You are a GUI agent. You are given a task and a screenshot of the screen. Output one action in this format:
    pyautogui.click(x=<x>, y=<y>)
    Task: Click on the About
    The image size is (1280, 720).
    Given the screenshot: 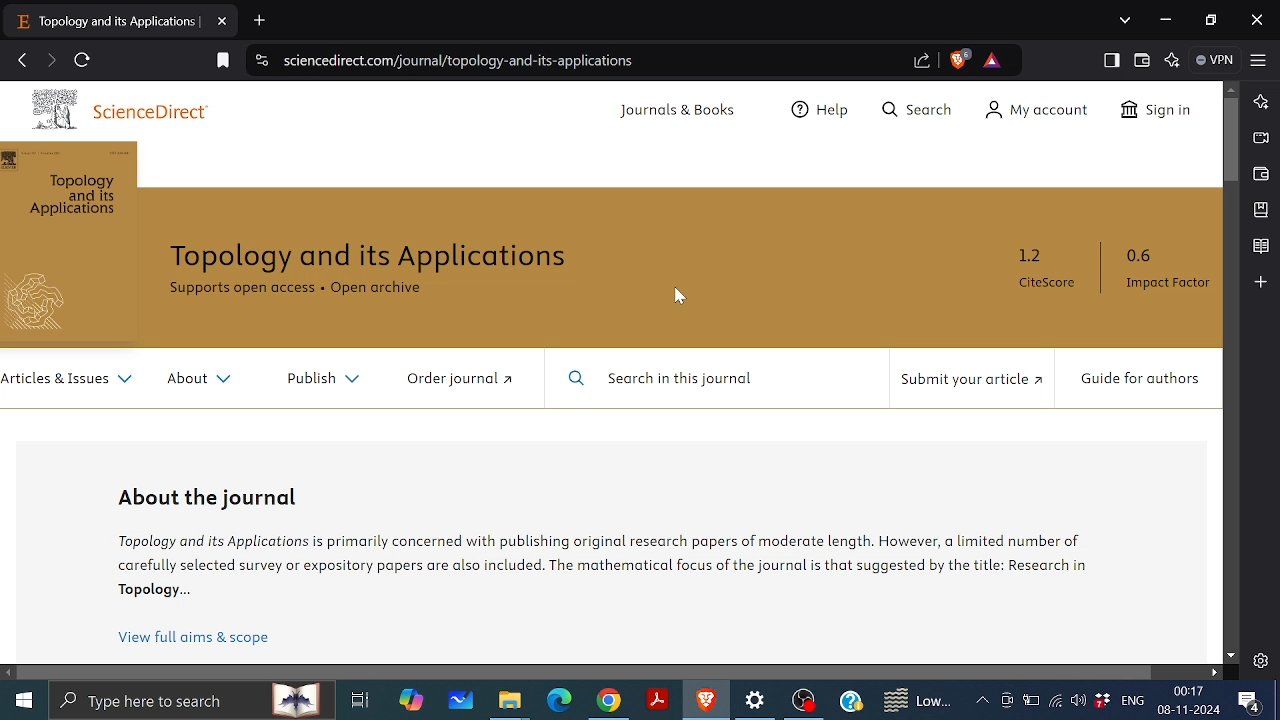 What is the action you would take?
    pyautogui.click(x=205, y=377)
    